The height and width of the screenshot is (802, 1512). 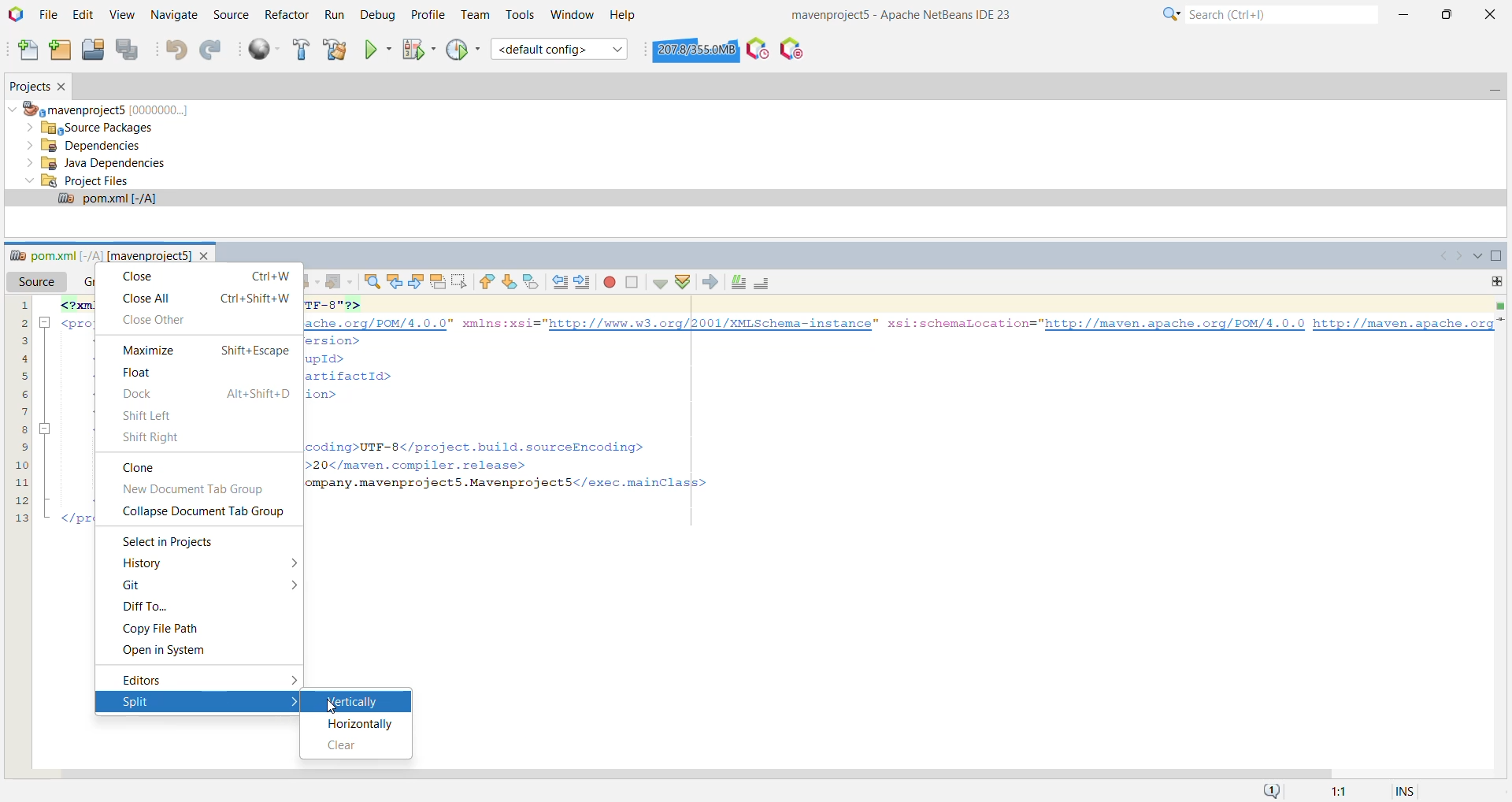 What do you see at coordinates (85, 15) in the screenshot?
I see `Edit` at bounding box center [85, 15].